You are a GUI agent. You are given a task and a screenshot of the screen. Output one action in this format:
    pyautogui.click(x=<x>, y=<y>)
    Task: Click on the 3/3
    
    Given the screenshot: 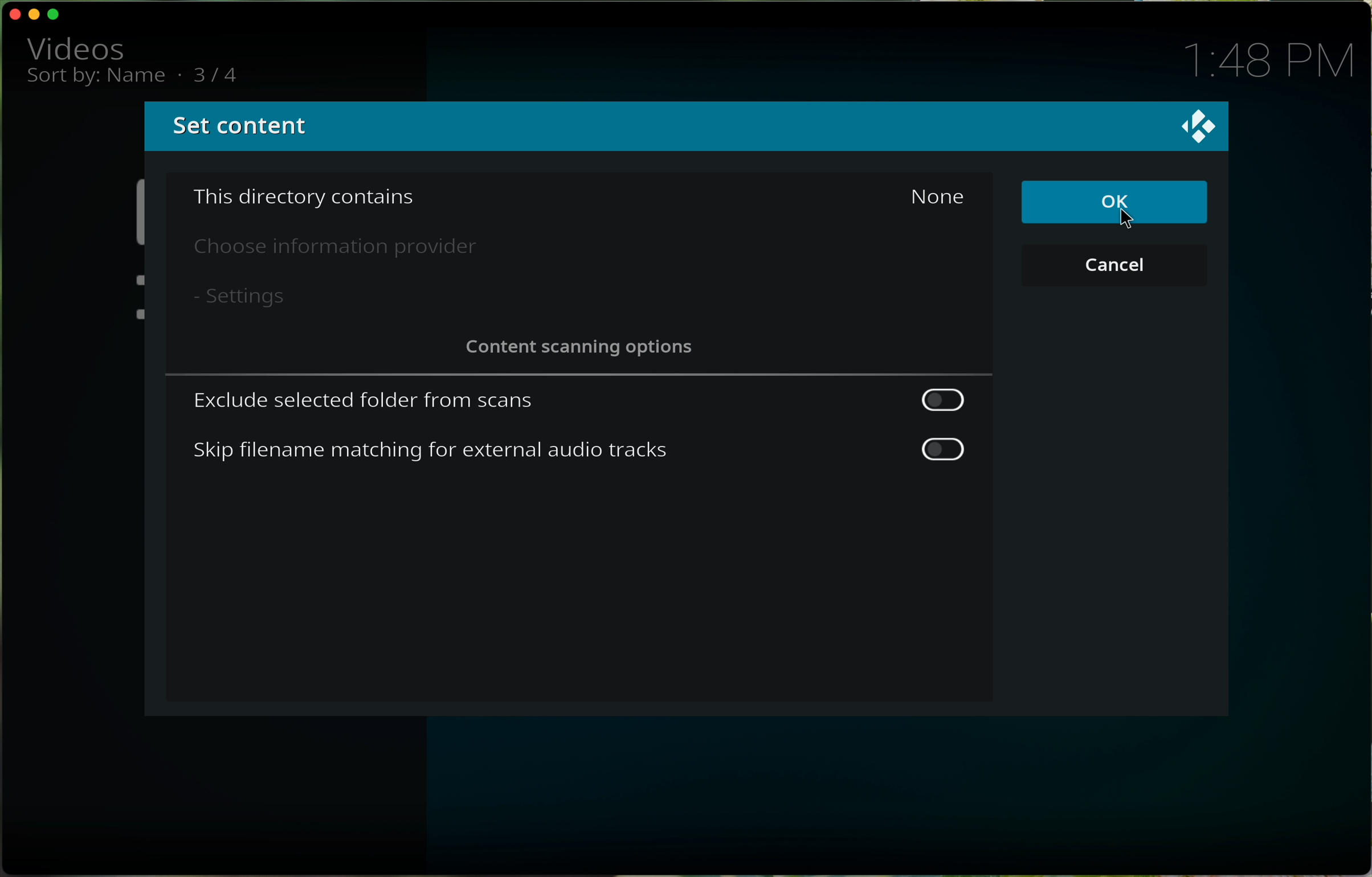 What is the action you would take?
    pyautogui.click(x=225, y=76)
    